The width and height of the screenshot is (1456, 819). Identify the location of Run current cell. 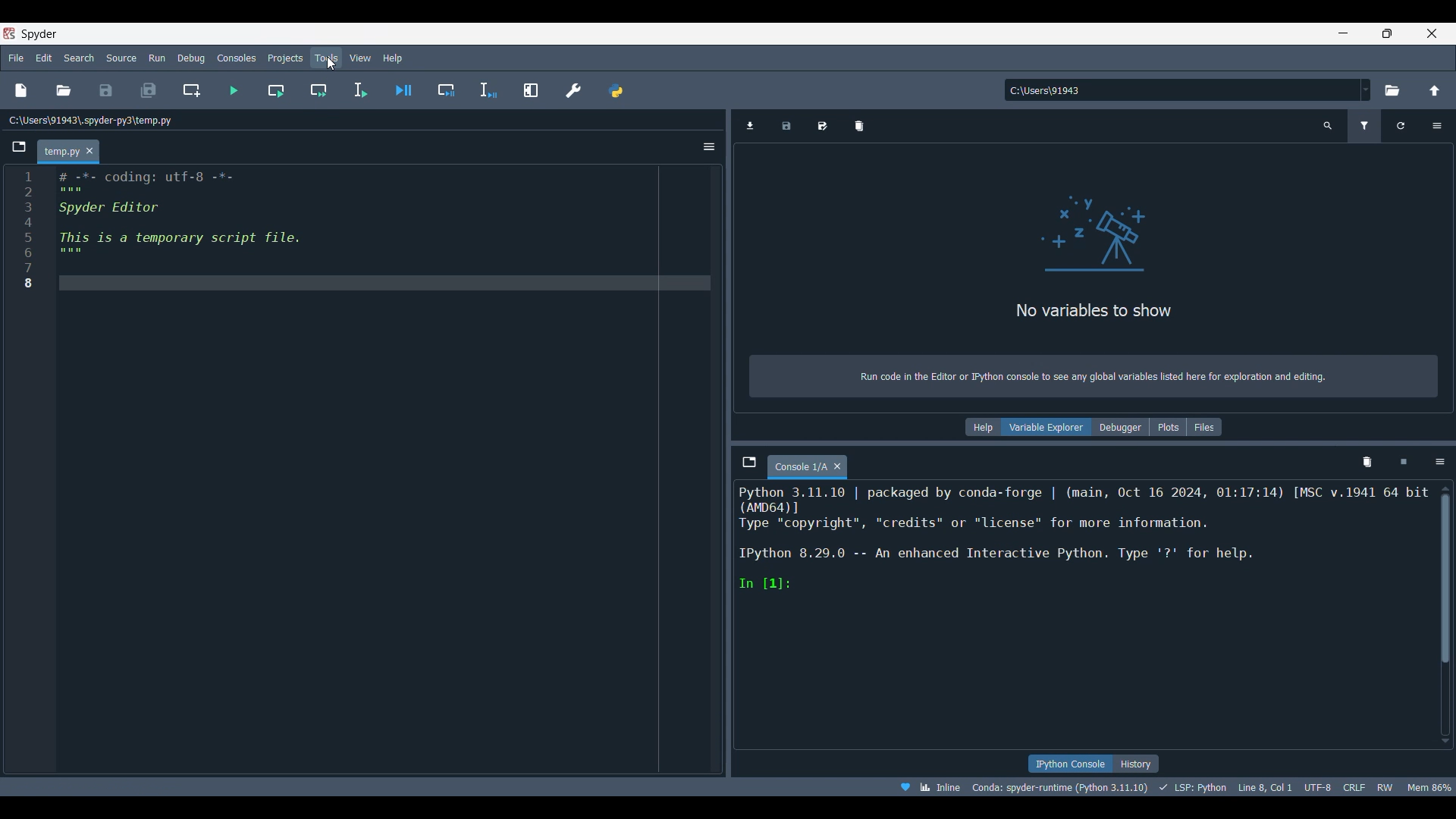
(276, 90).